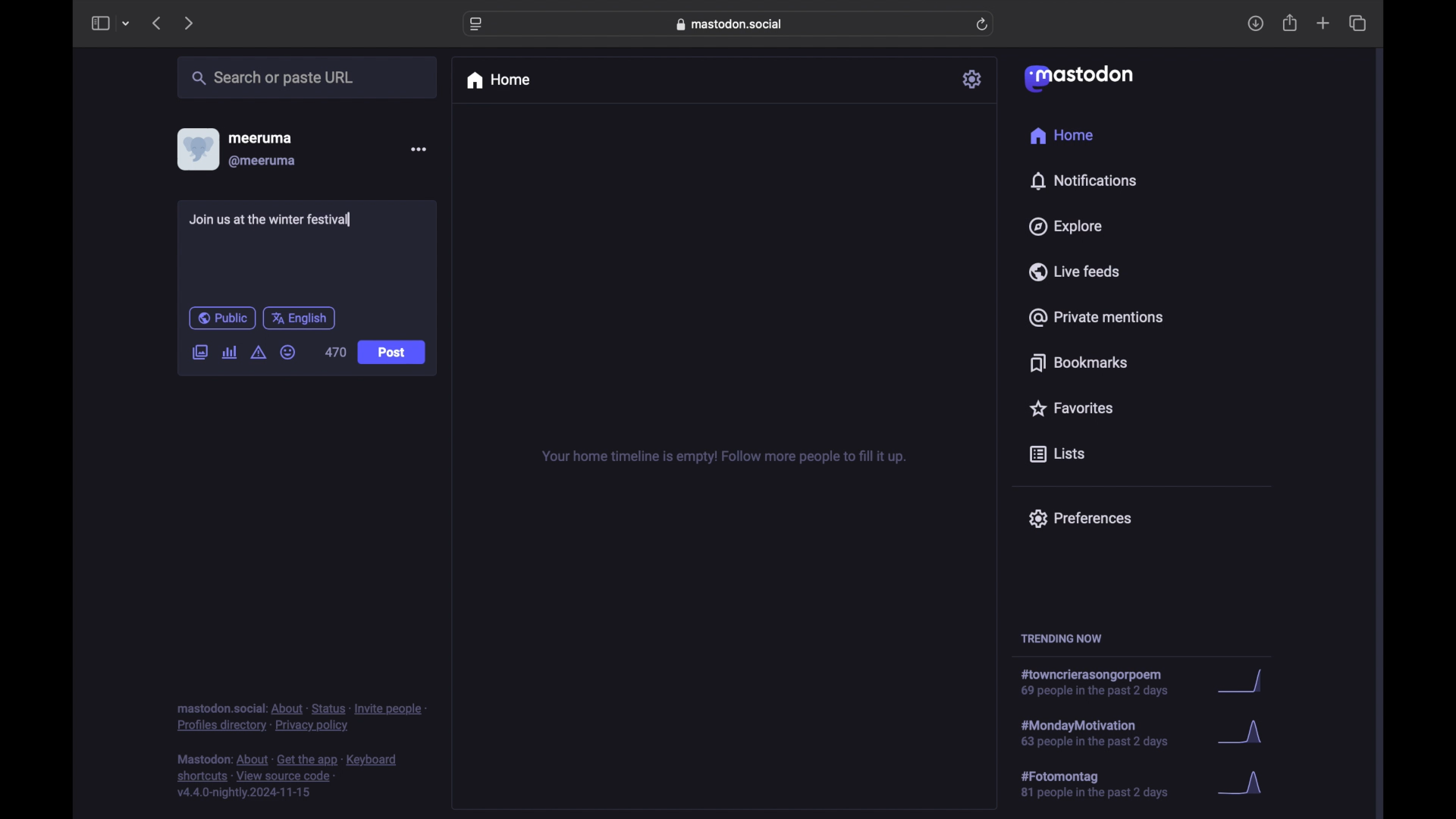  What do you see at coordinates (1291, 24) in the screenshot?
I see `share` at bounding box center [1291, 24].